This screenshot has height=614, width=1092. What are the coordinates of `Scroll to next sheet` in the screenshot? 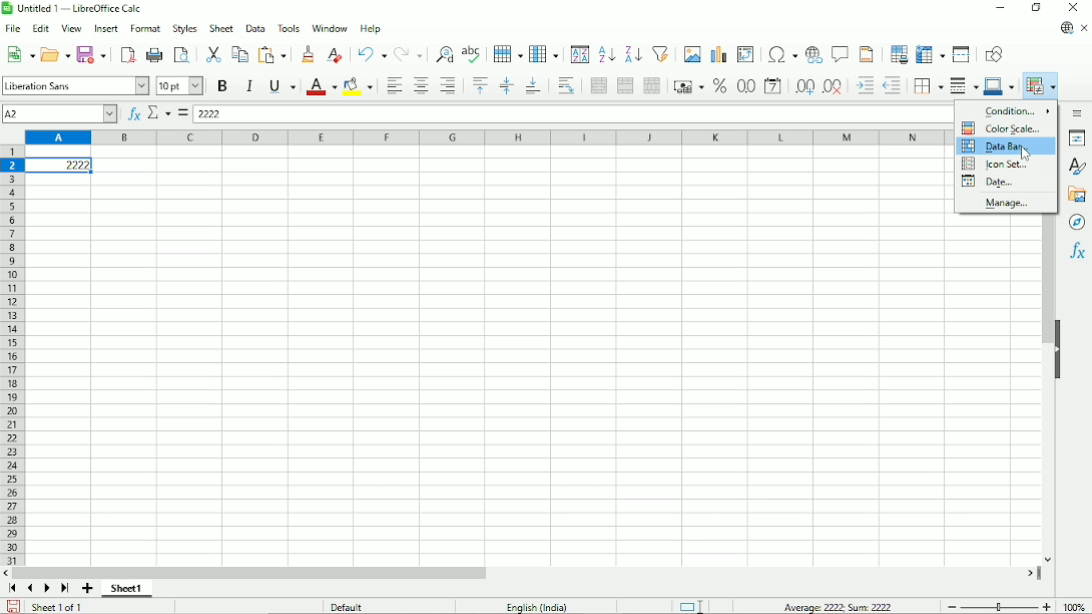 It's located at (47, 589).